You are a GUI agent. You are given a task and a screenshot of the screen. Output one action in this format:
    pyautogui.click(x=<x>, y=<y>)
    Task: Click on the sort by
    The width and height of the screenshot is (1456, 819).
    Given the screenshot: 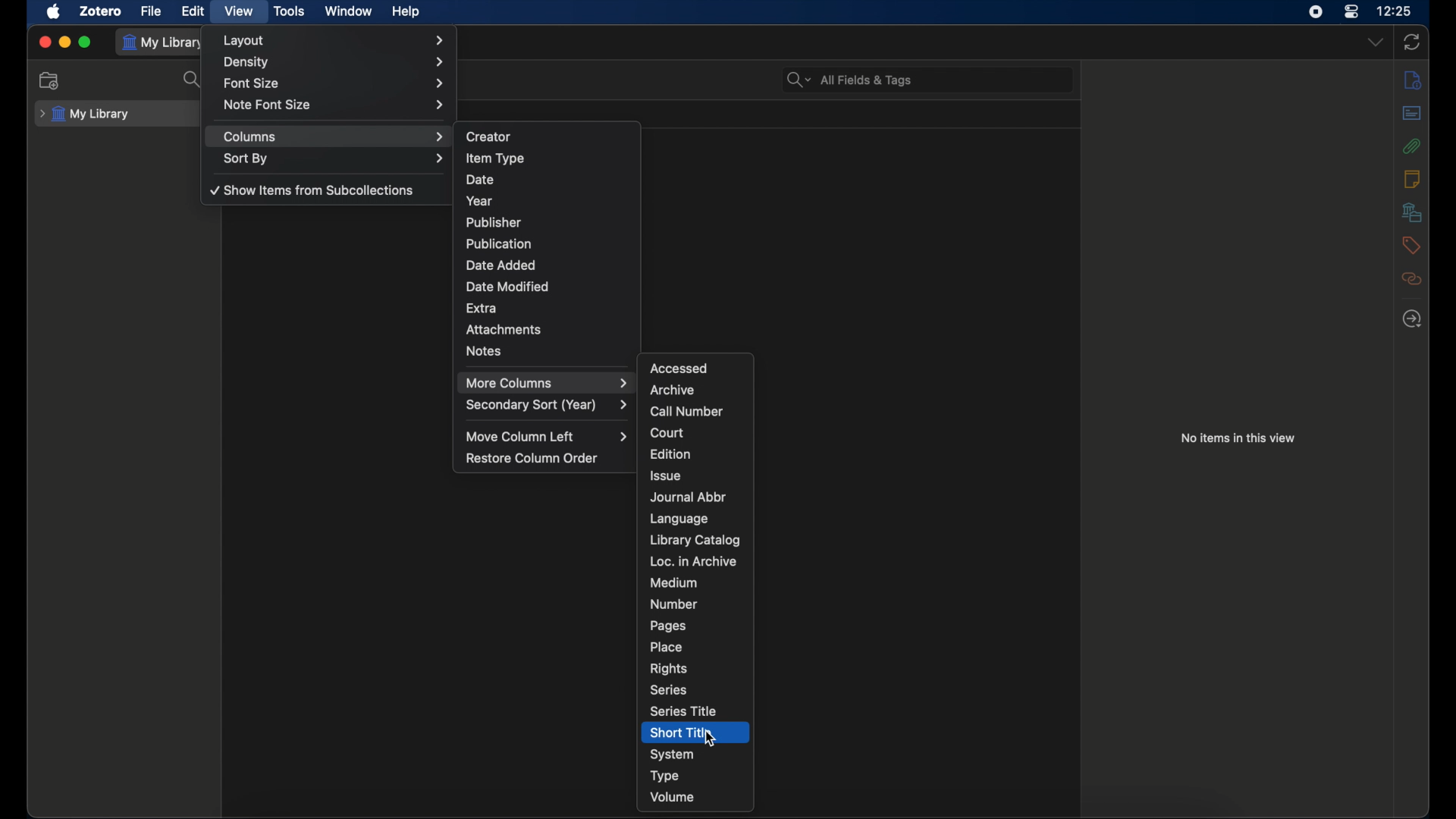 What is the action you would take?
    pyautogui.click(x=334, y=158)
    